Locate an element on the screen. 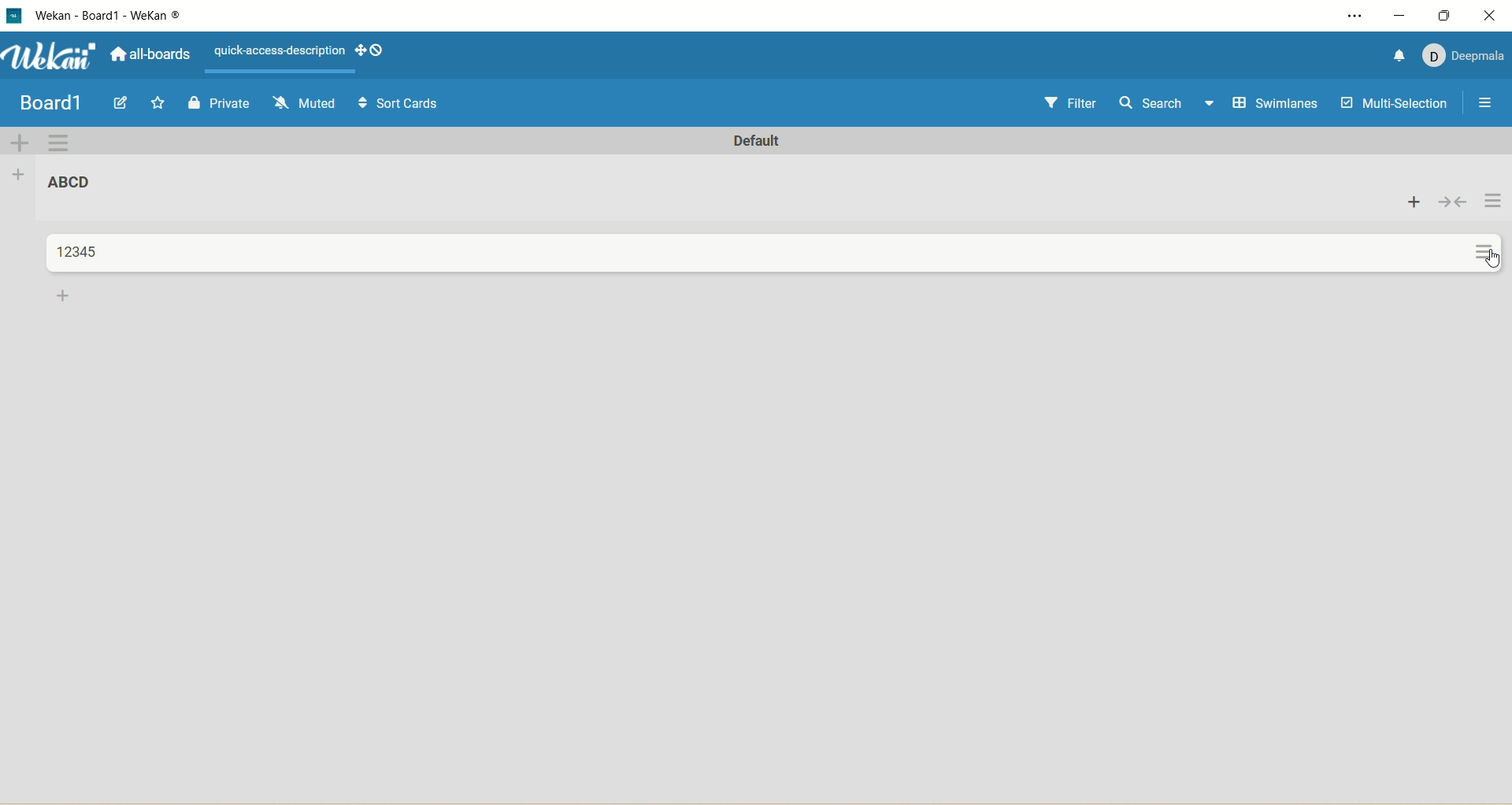  show-desktop-drag- is located at coordinates (370, 50).